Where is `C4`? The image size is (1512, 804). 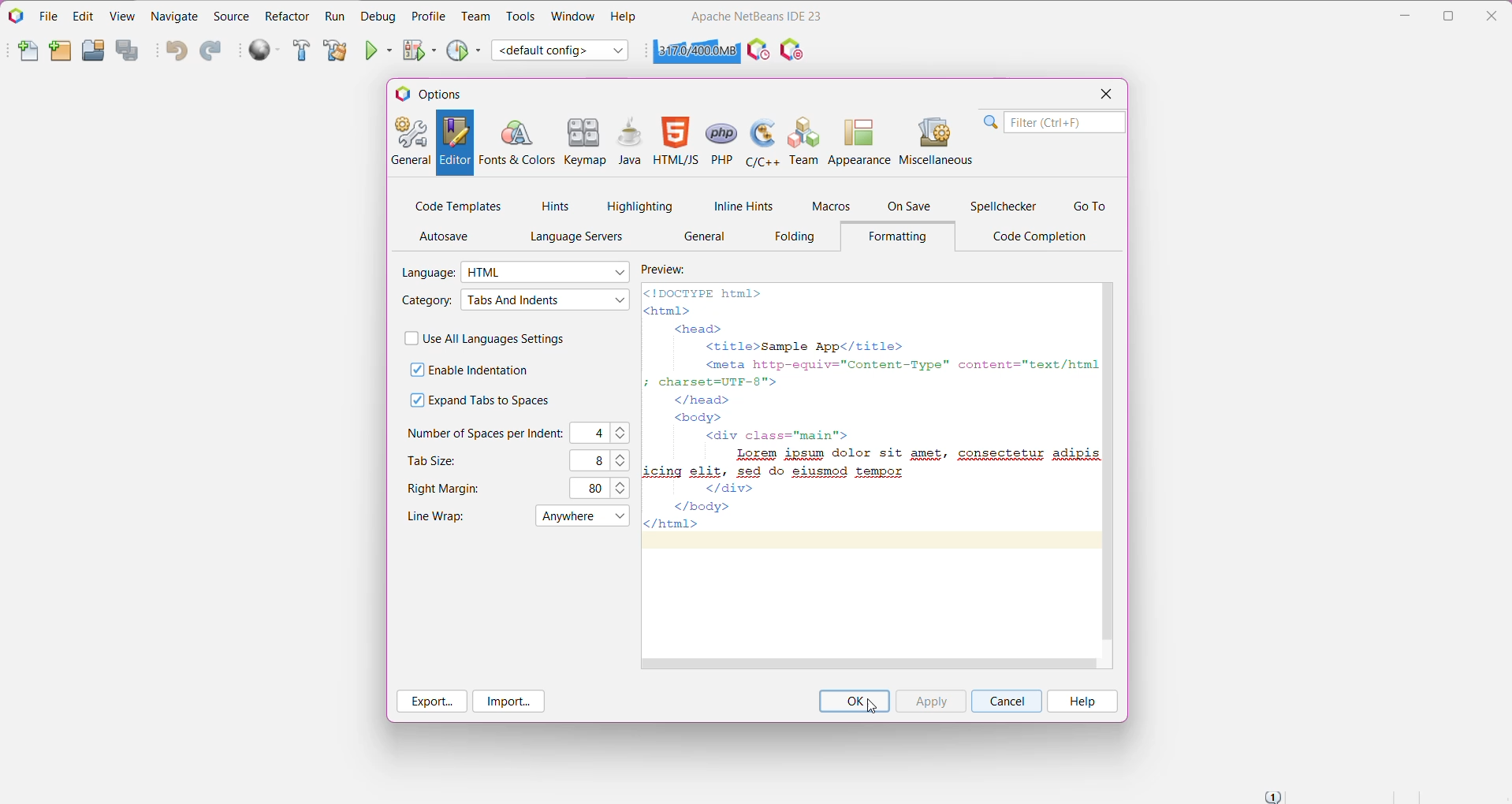
C4 is located at coordinates (593, 434).